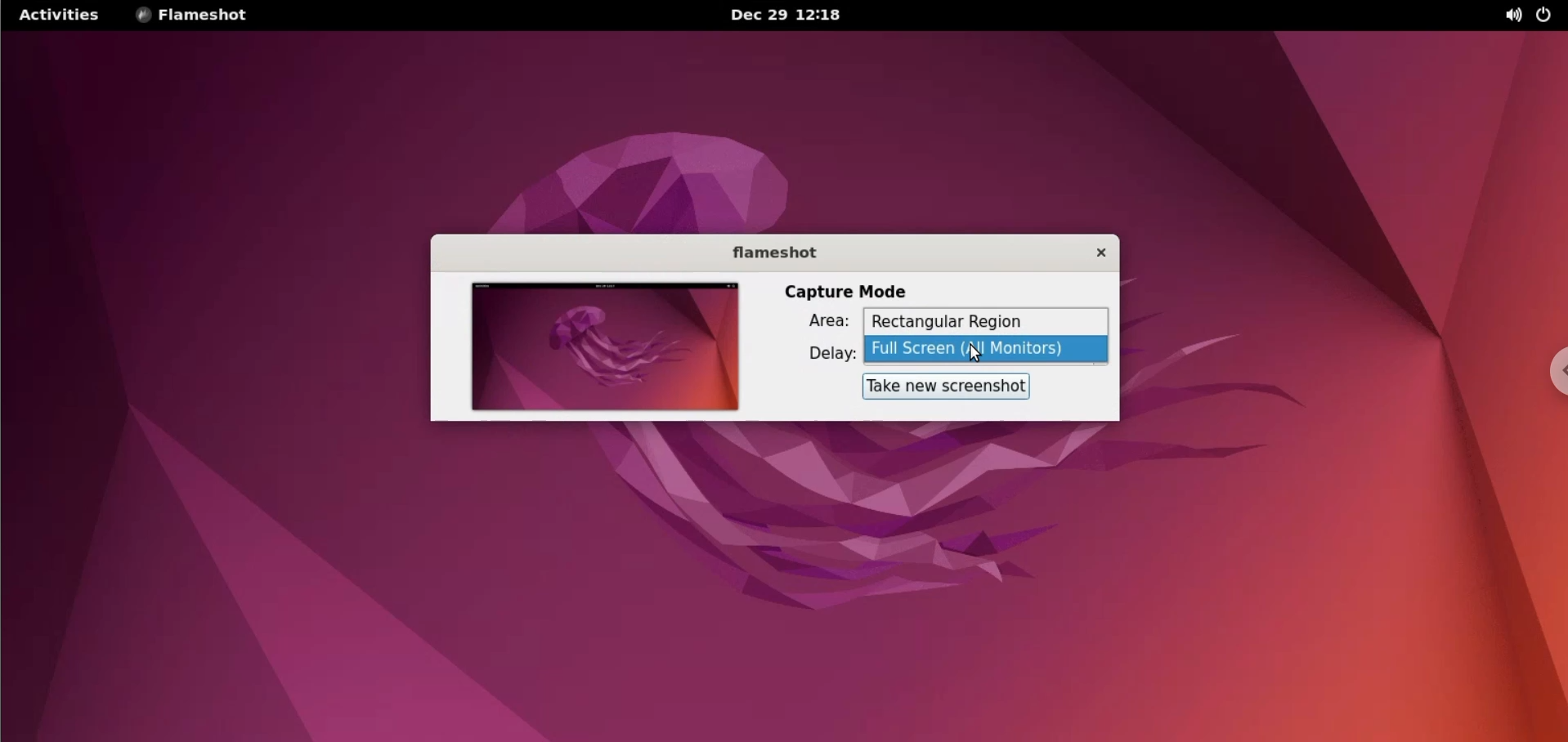 Image resolution: width=1568 pixels, height=742 pixels. I want to click on take new screenshot, so click(948, 387).